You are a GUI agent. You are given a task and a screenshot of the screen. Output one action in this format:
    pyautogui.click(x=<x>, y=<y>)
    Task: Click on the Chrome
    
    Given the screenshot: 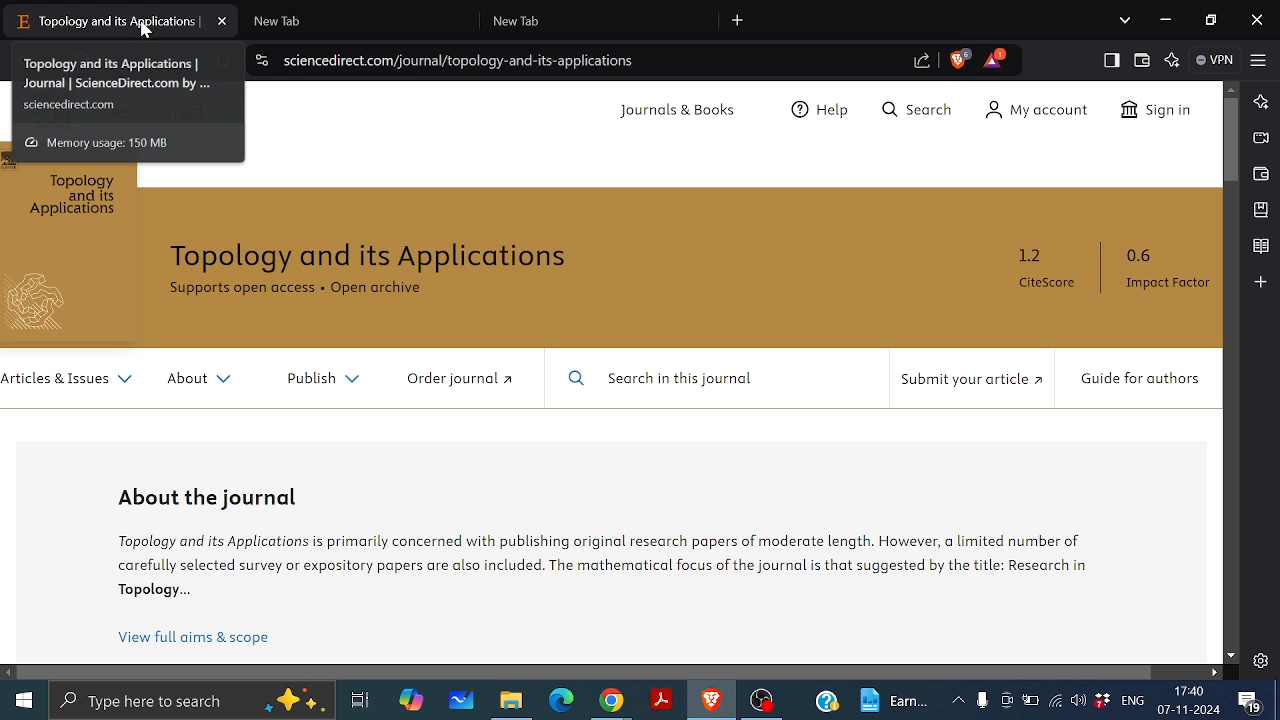 What is the action you would take?
    pyautogui.click(x=611, y=702)
    